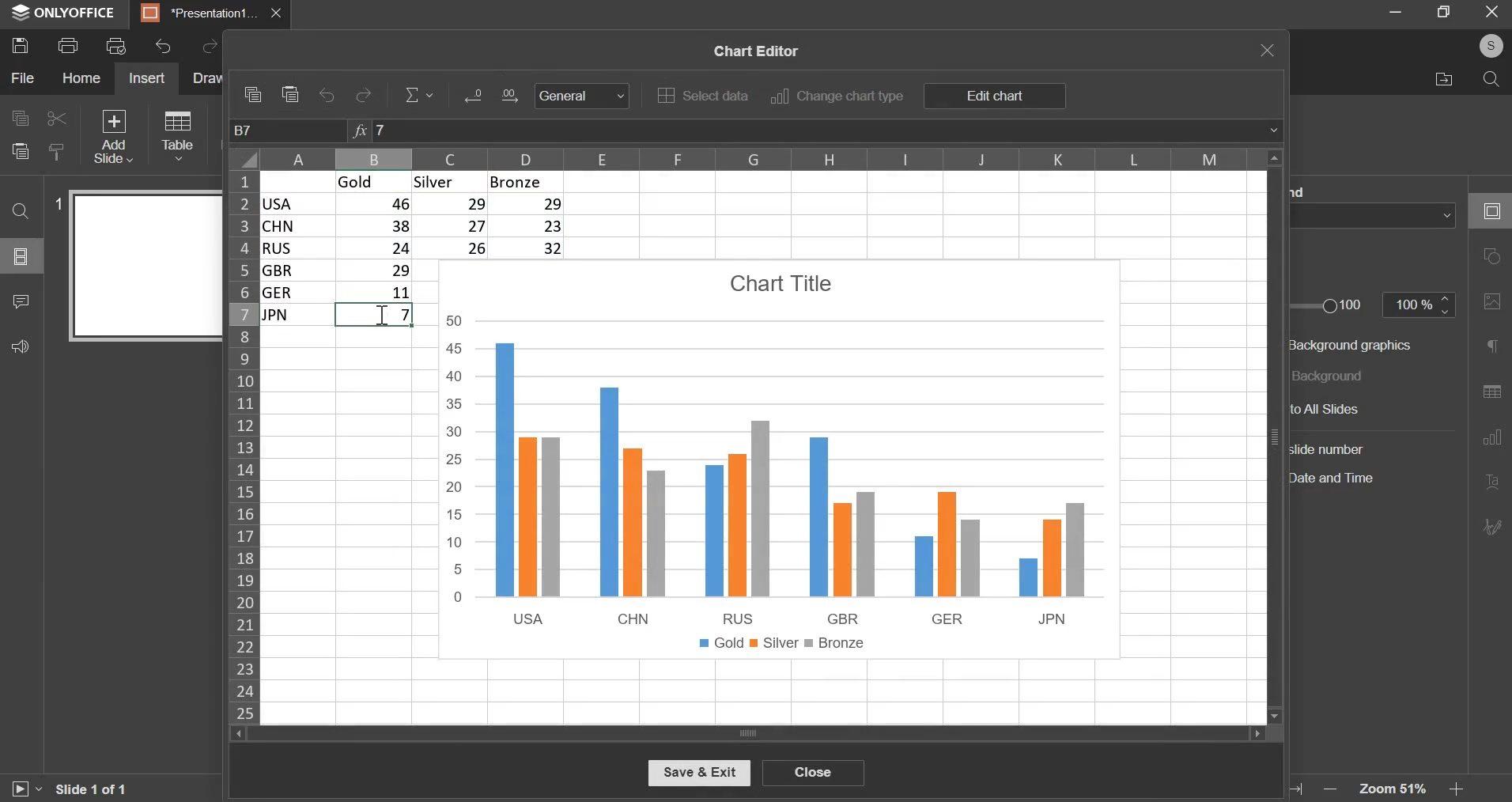 The width and height of the screenshot is (1512, 802). I want to click on undo, so click(164, 47).